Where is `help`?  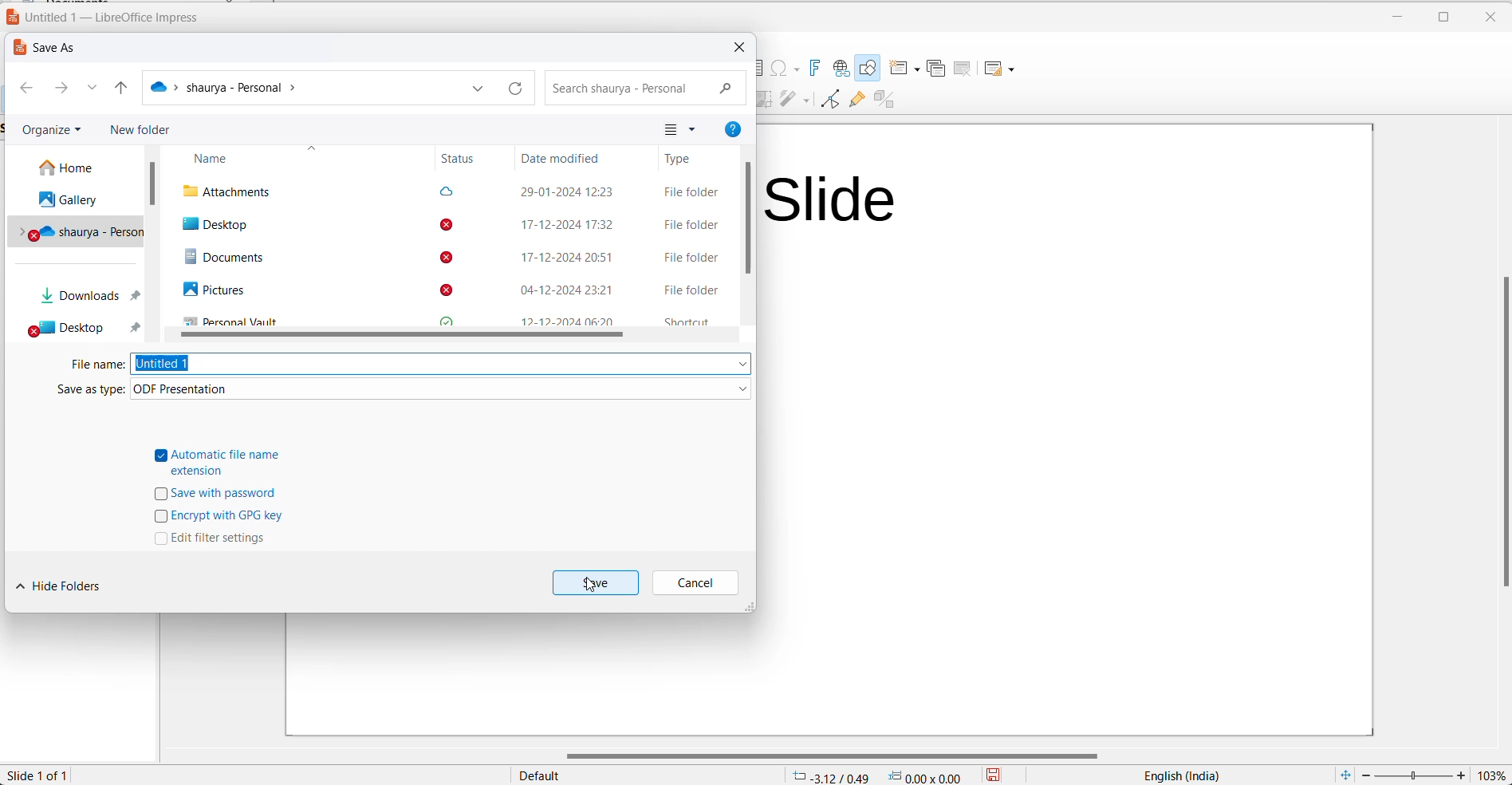
help is located at coordinates (734, 128).